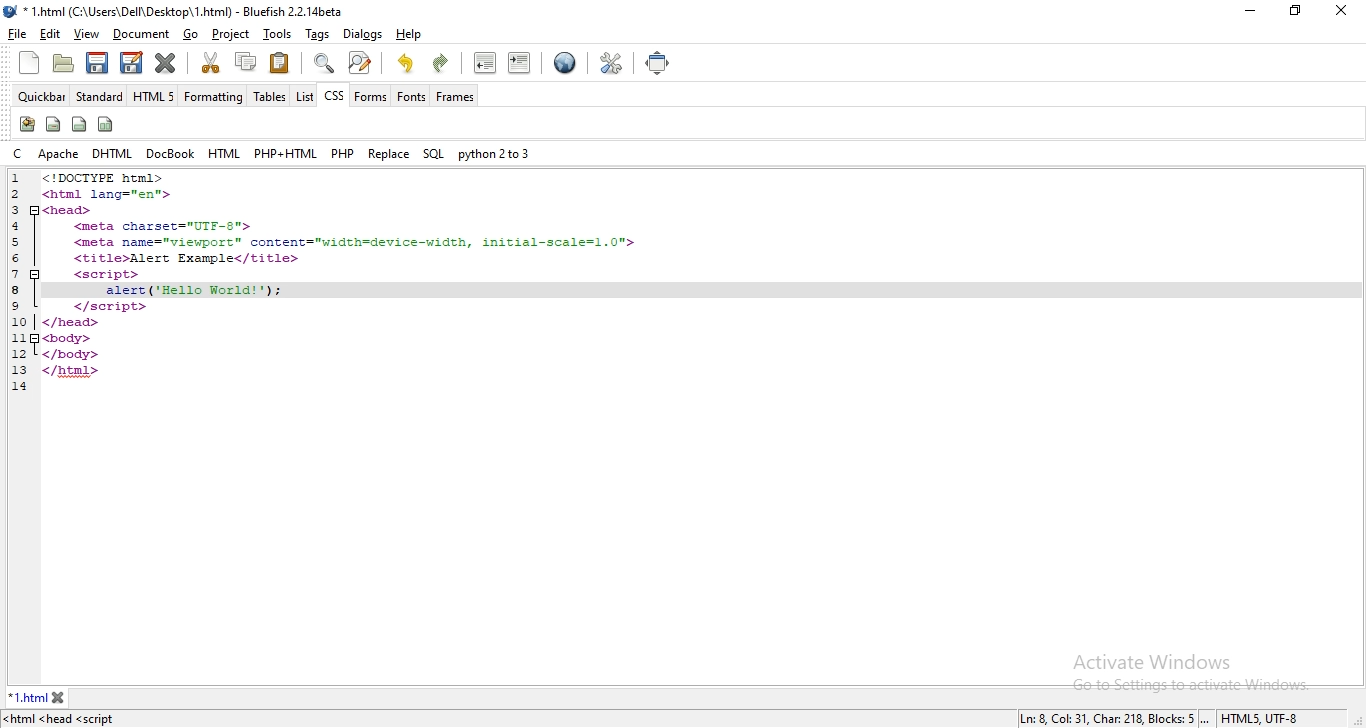  Describe the element at coordinates (388, 153) in the screenshot. I see `replace` at that location.